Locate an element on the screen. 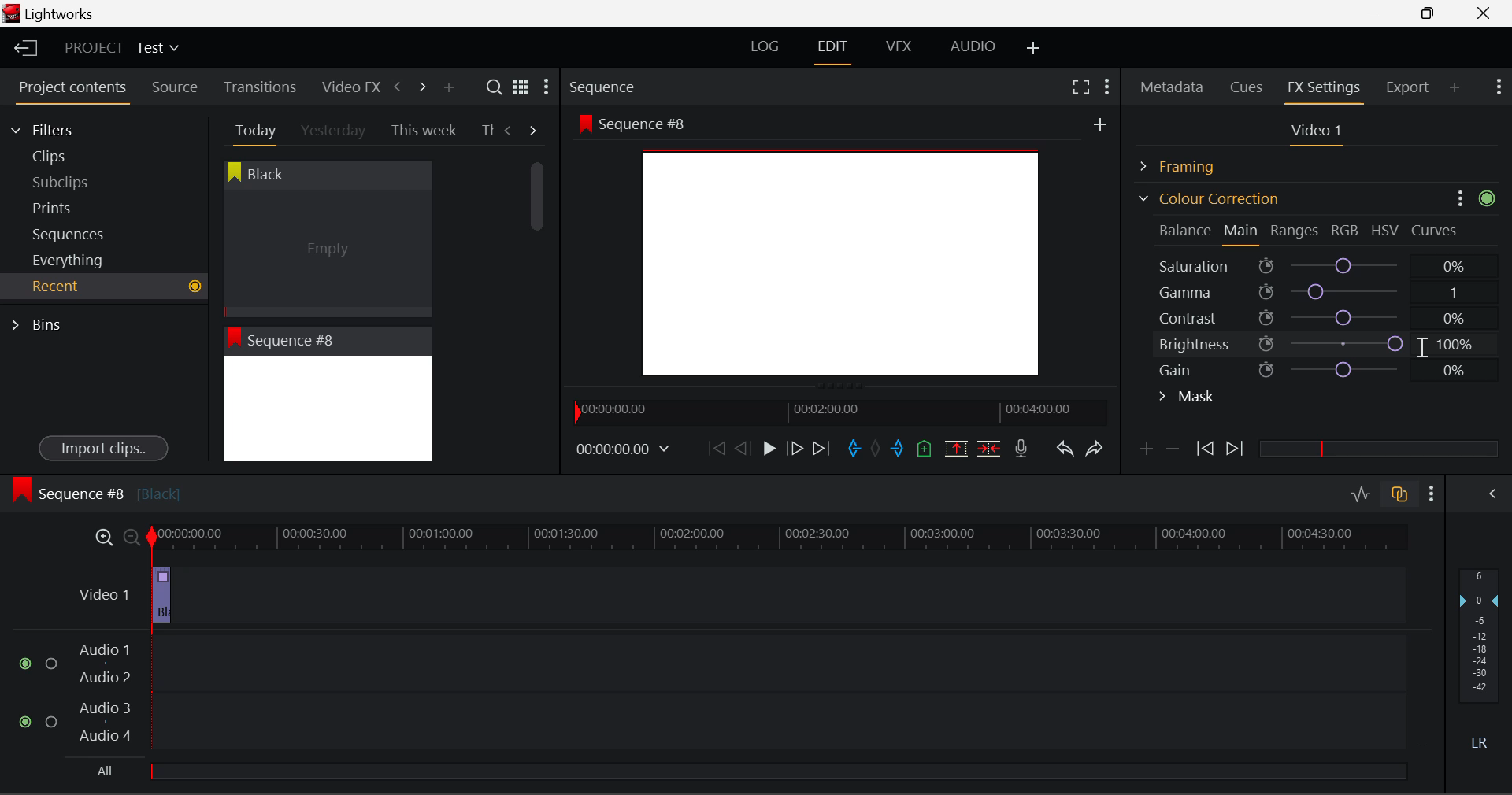 This screenshot has height=795, width=1512. Next Tab is located at coordinates (534, 129).